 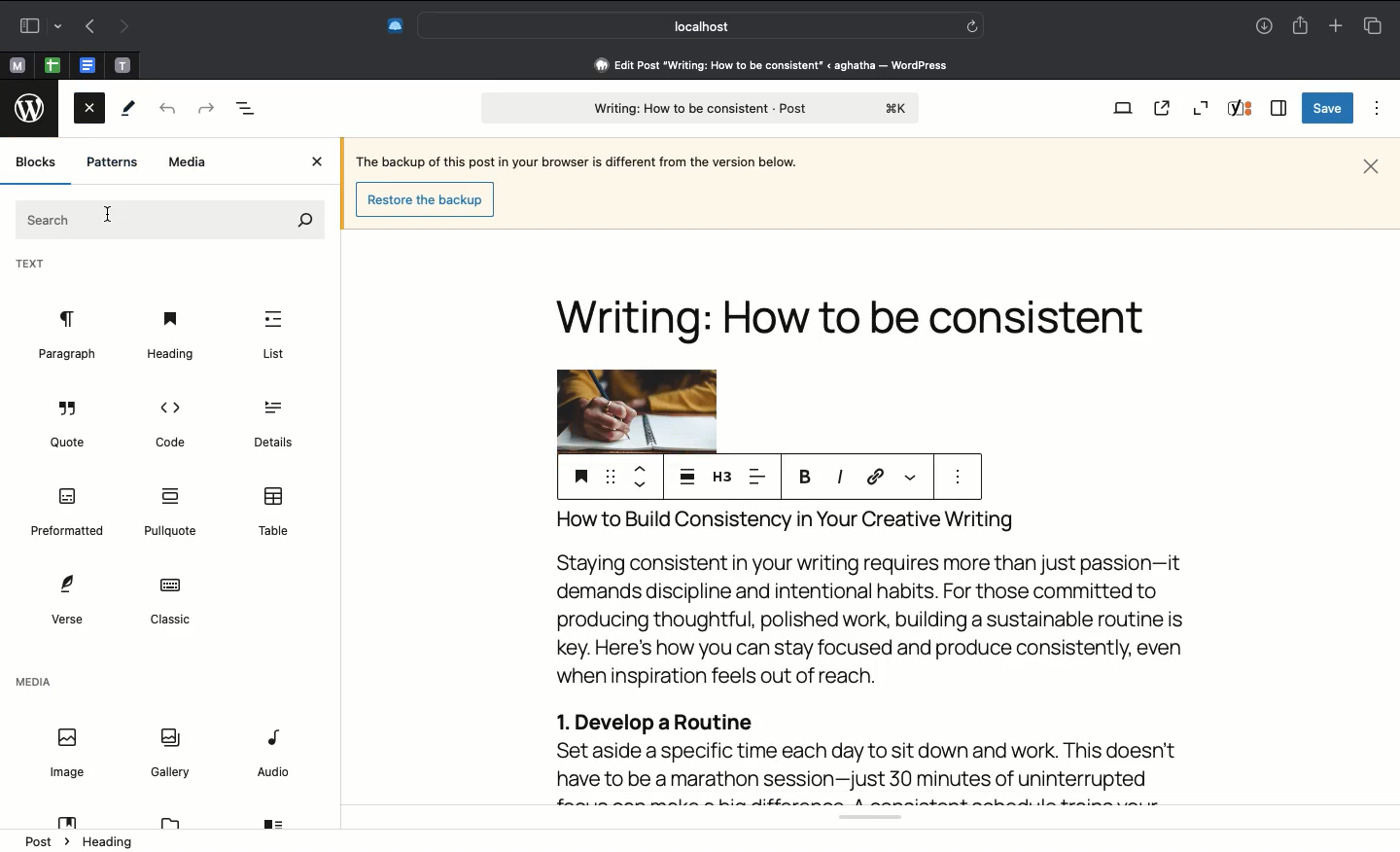 I want to click on Add new tab, so click(x=1338, y=25).